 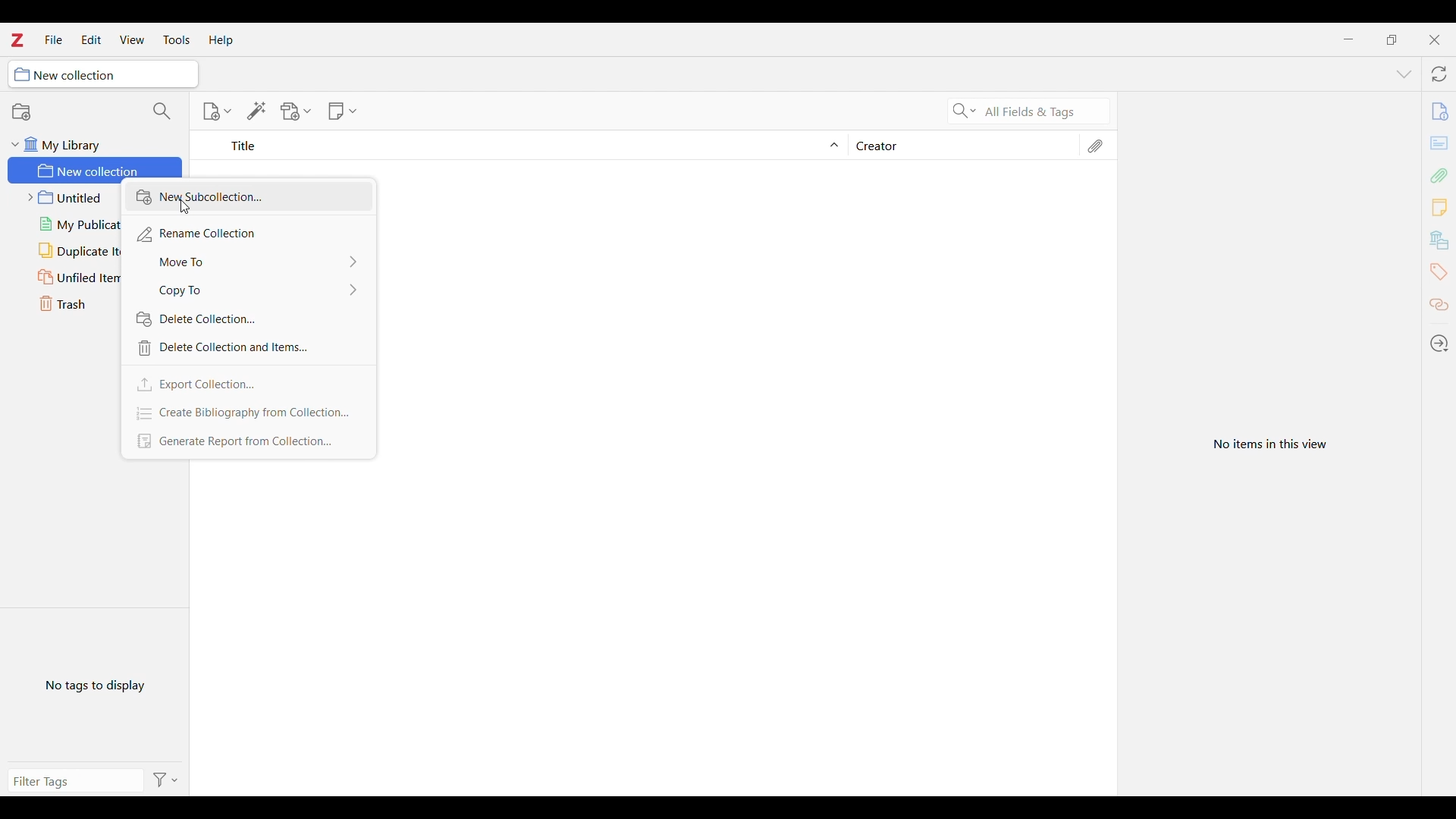 I want to click on Tags, so click(x=1438, y=272).